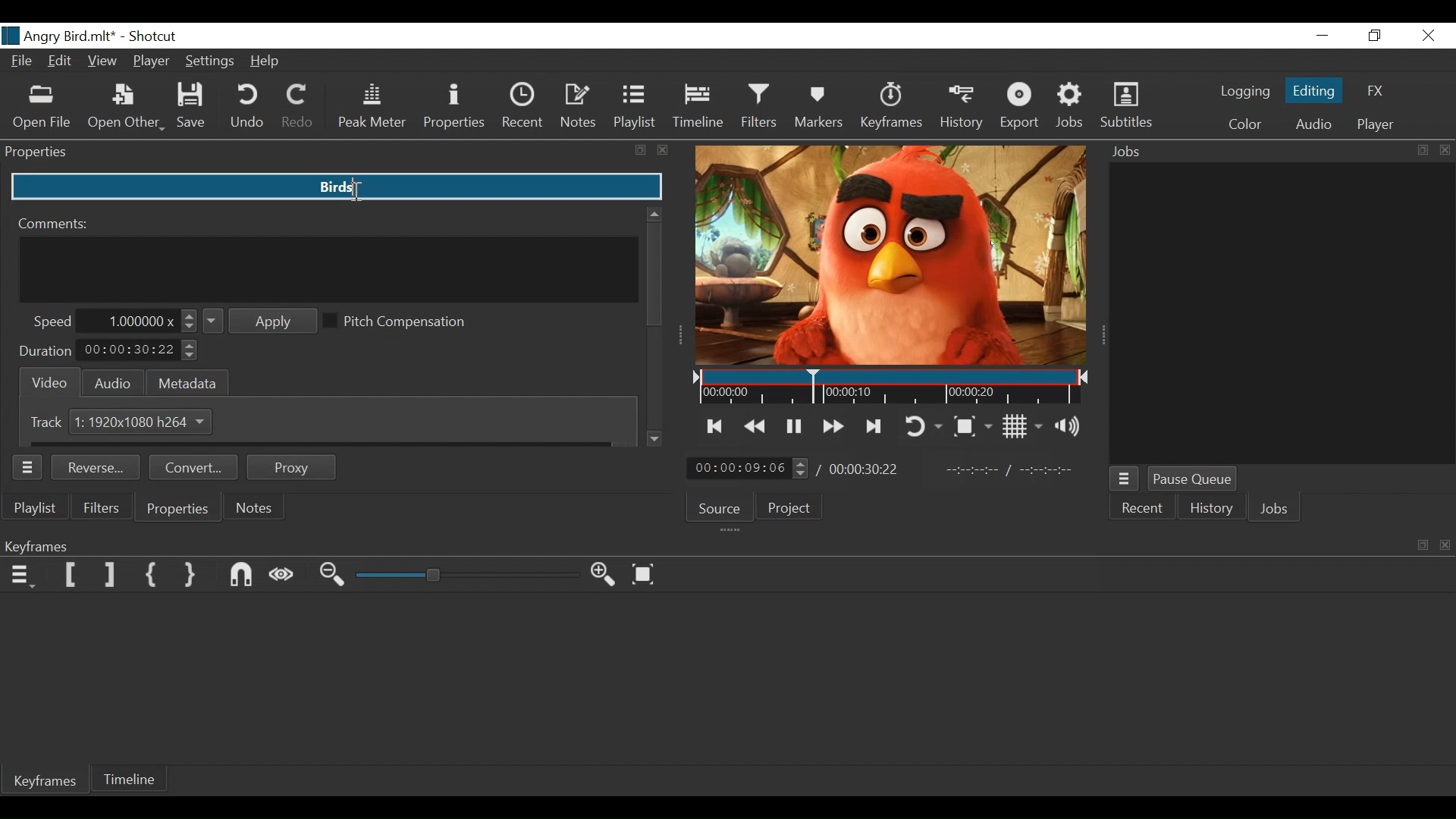 The height and width of the screenshot is (819, 1456). I want to click on Export, so click(1018, 108).